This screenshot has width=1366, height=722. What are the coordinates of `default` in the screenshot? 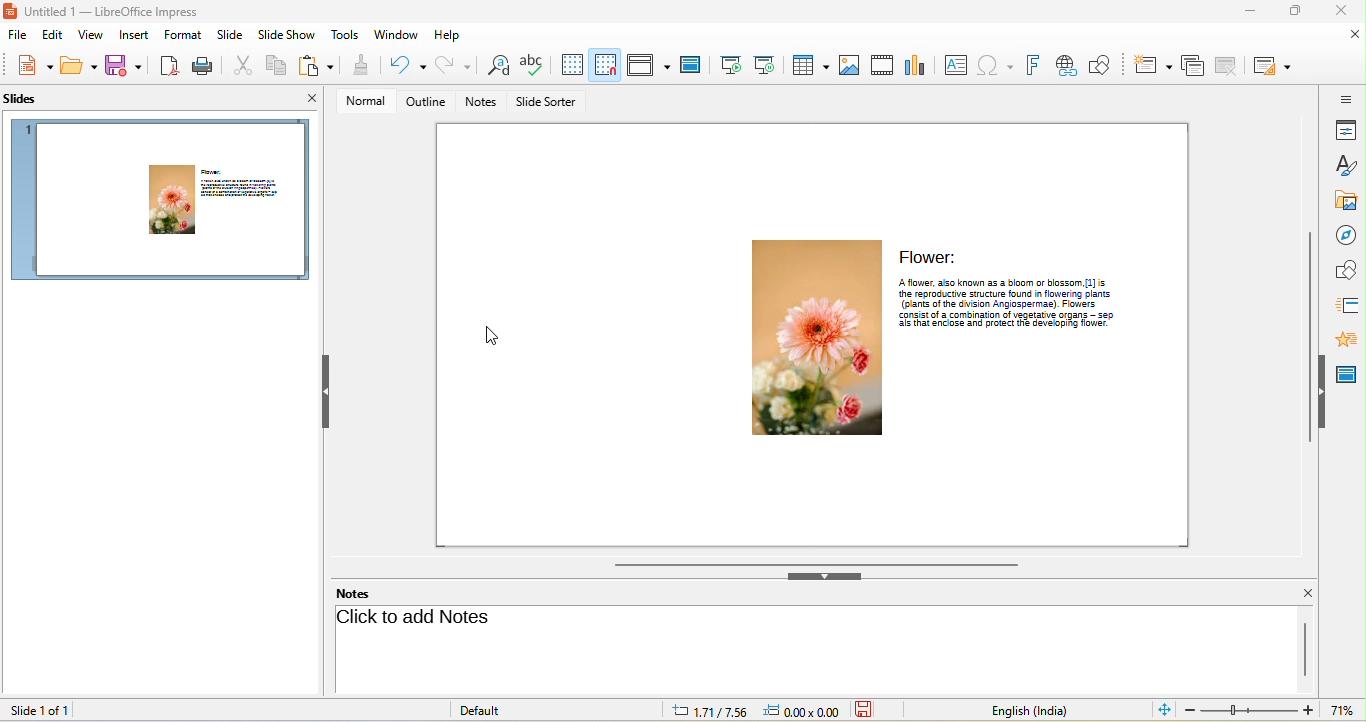 It's located at (509, 711).